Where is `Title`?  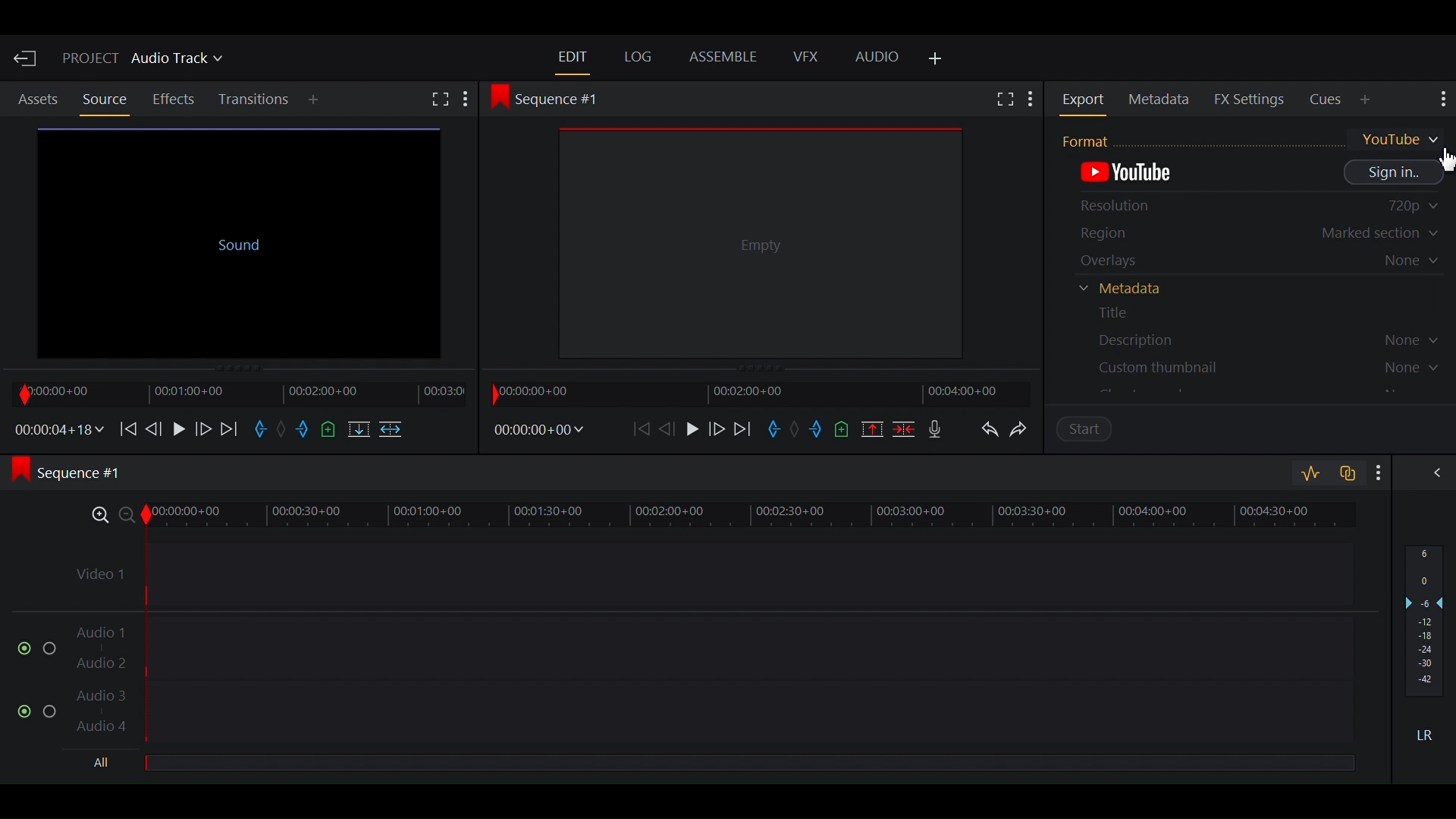
Title is located at coordinates (1128, 314).